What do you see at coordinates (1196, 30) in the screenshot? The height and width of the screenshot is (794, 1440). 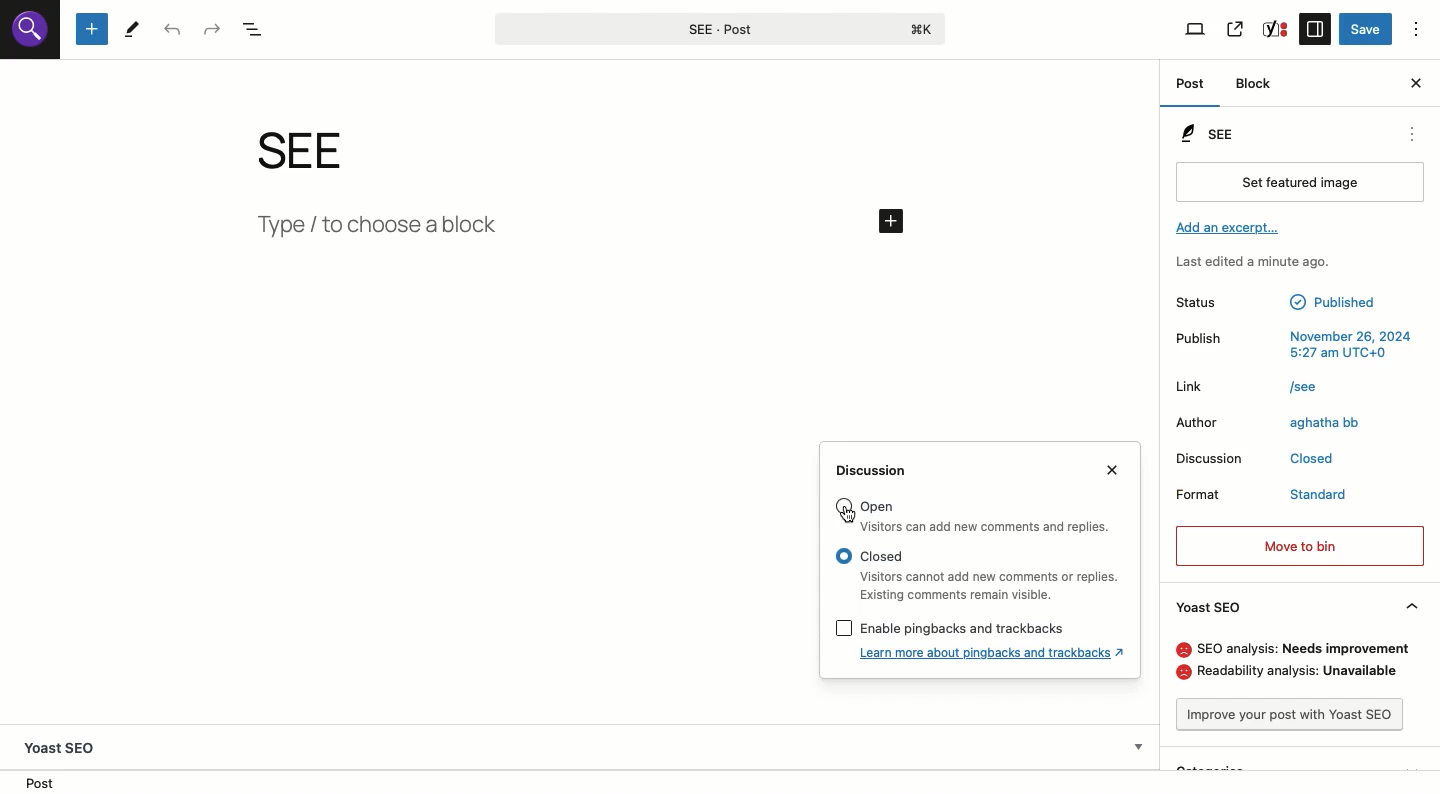 I see `View` at bounding box center [1196, 30].